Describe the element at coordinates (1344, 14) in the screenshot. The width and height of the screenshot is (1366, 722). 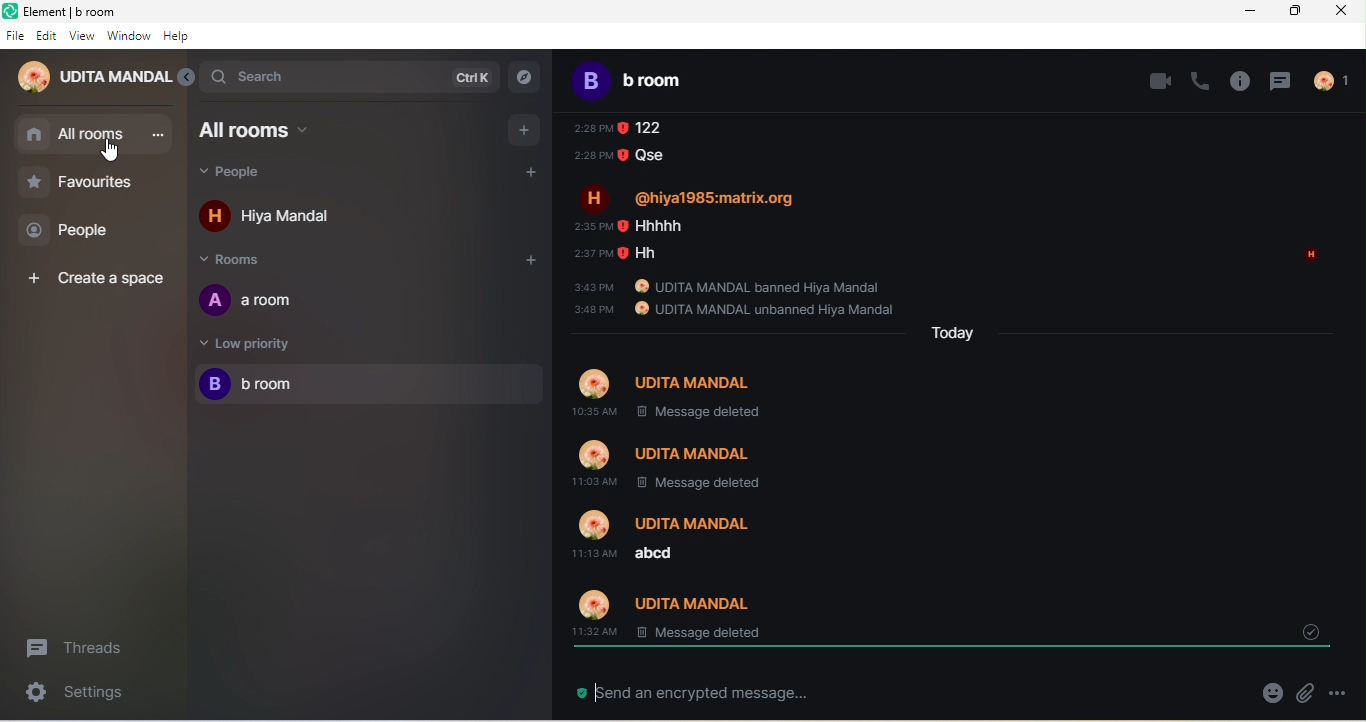
I see `close` at that location.